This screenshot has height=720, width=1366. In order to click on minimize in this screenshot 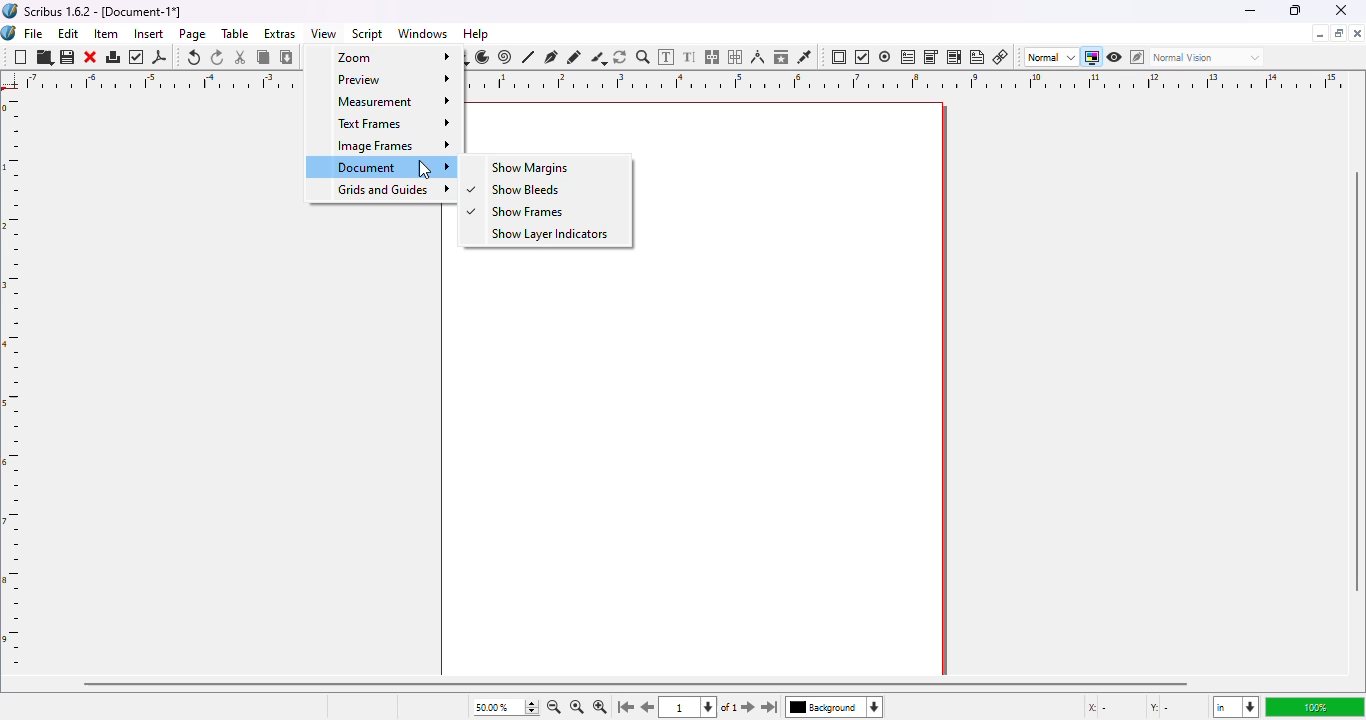, I will do `click(1249, 10)`.